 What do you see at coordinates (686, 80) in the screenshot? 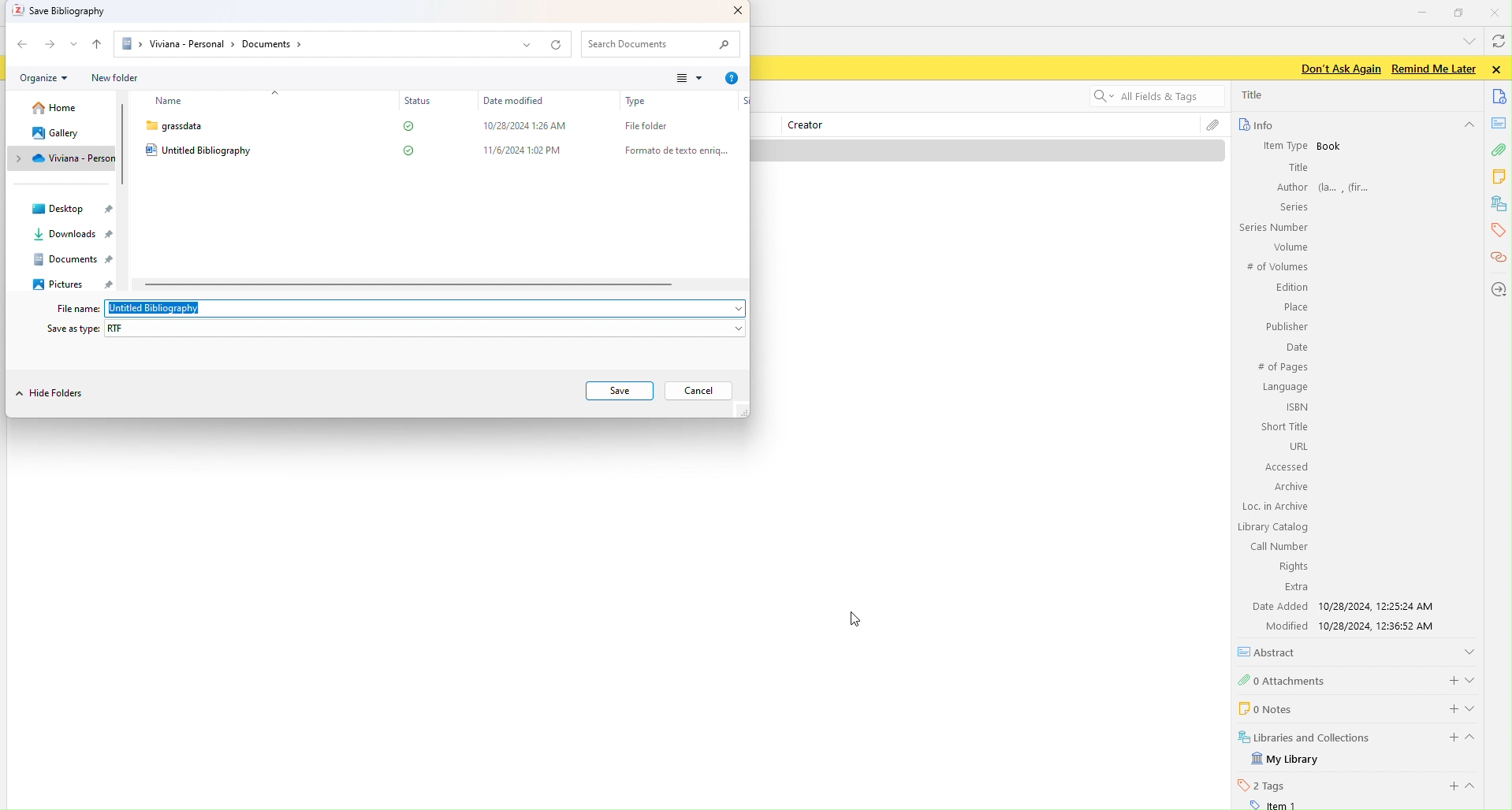
I see `View` at bounding box center [686, 80].